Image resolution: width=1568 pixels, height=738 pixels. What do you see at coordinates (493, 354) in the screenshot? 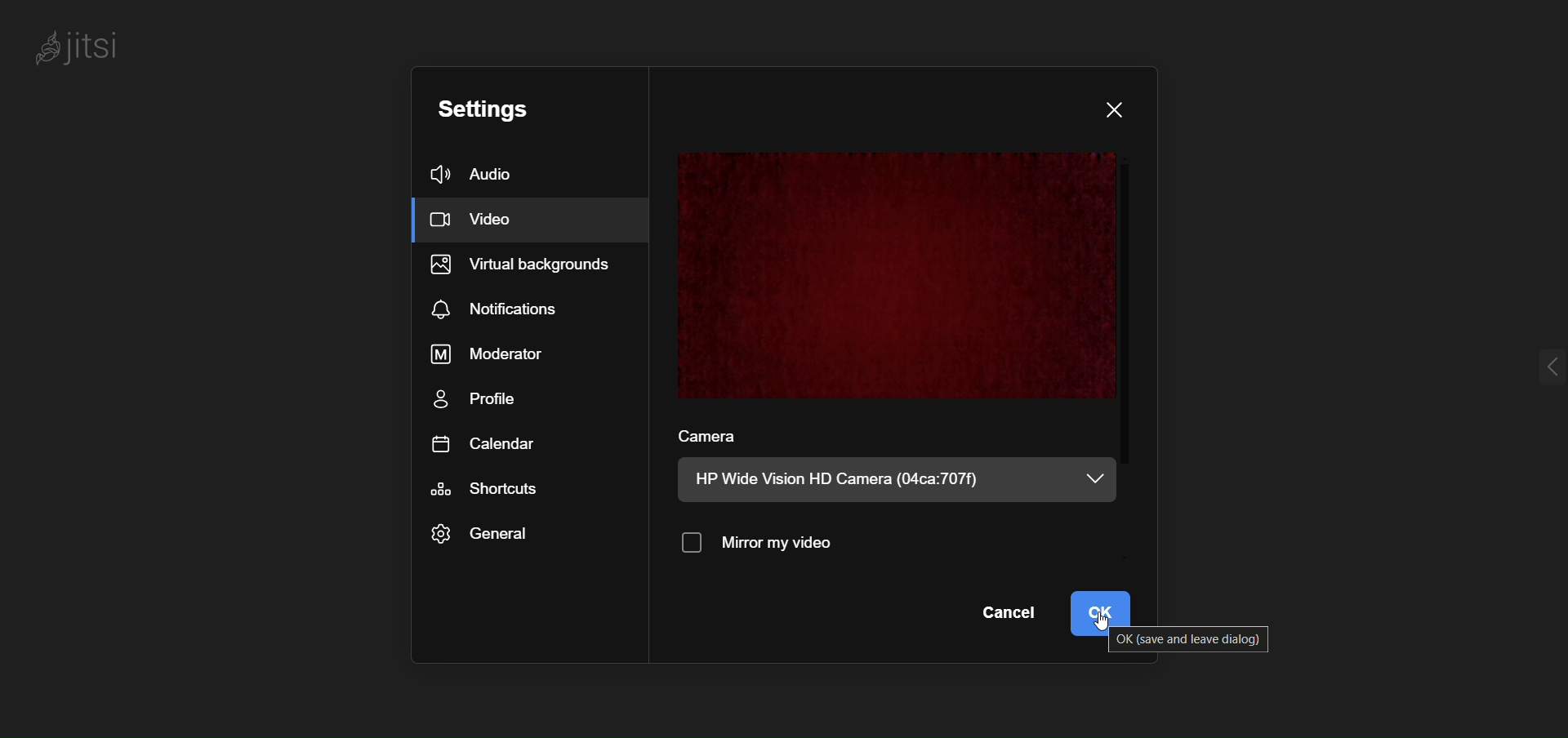
I see `moderator` at bounding box center [493, 354].